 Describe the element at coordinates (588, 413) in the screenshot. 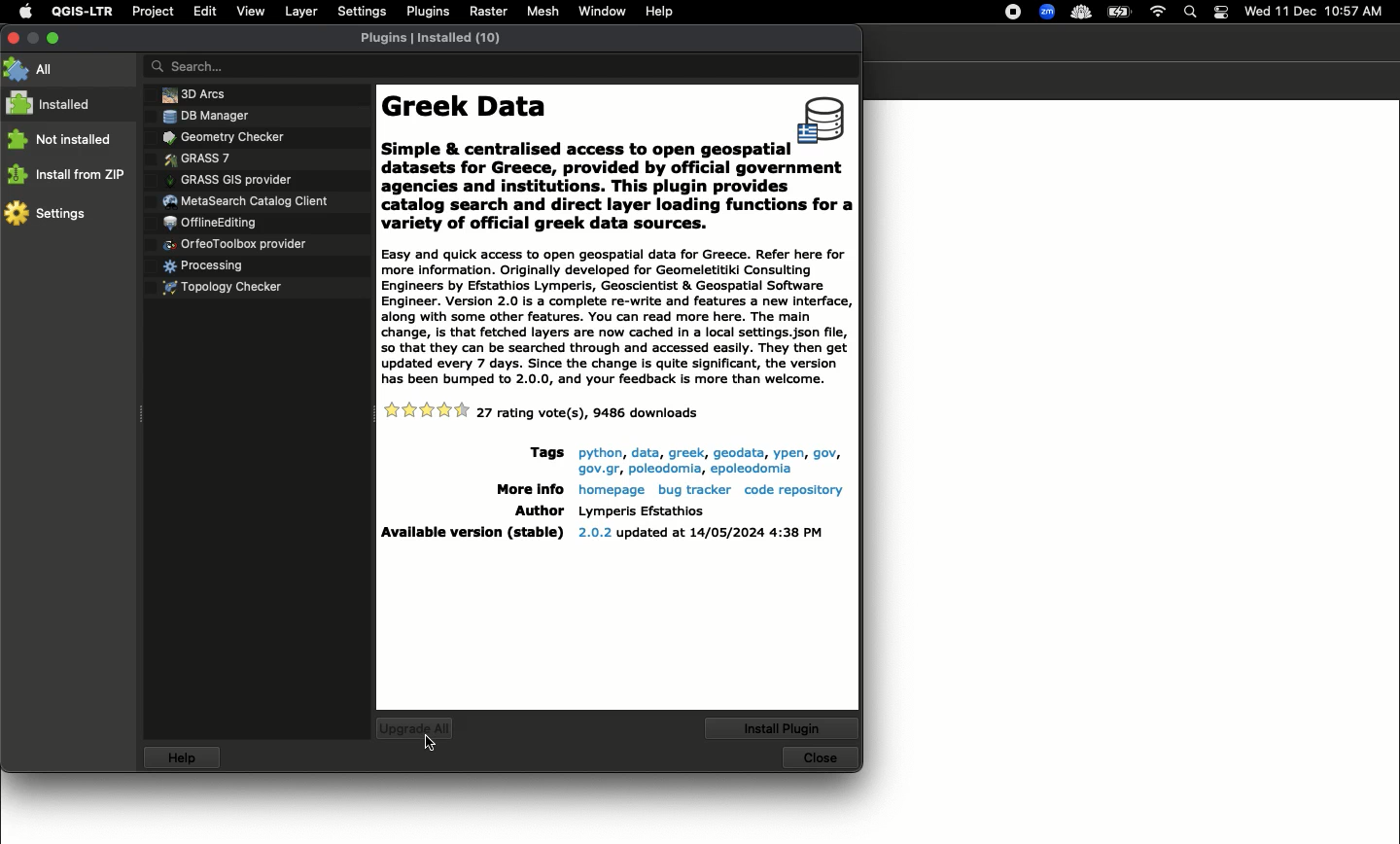

I see `Details` at that location.